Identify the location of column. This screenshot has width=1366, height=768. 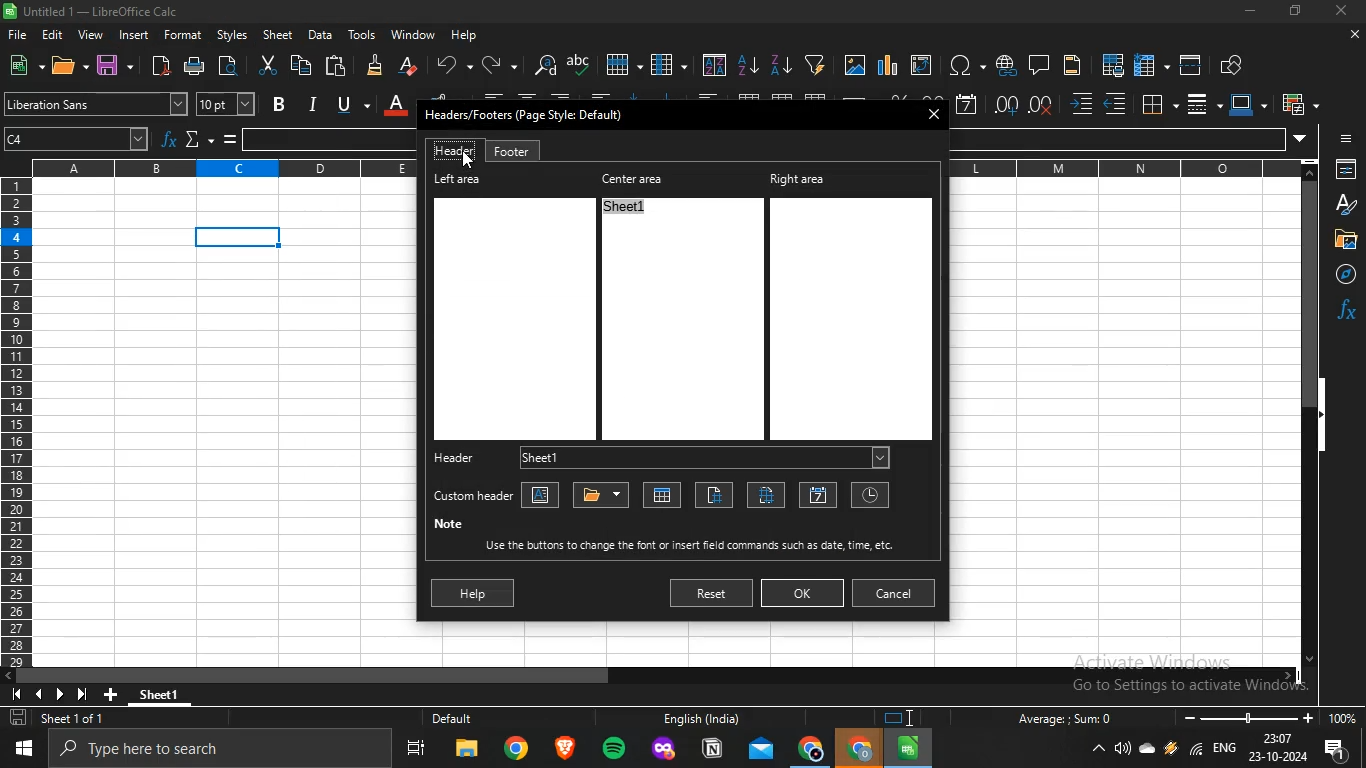
(668, 65).